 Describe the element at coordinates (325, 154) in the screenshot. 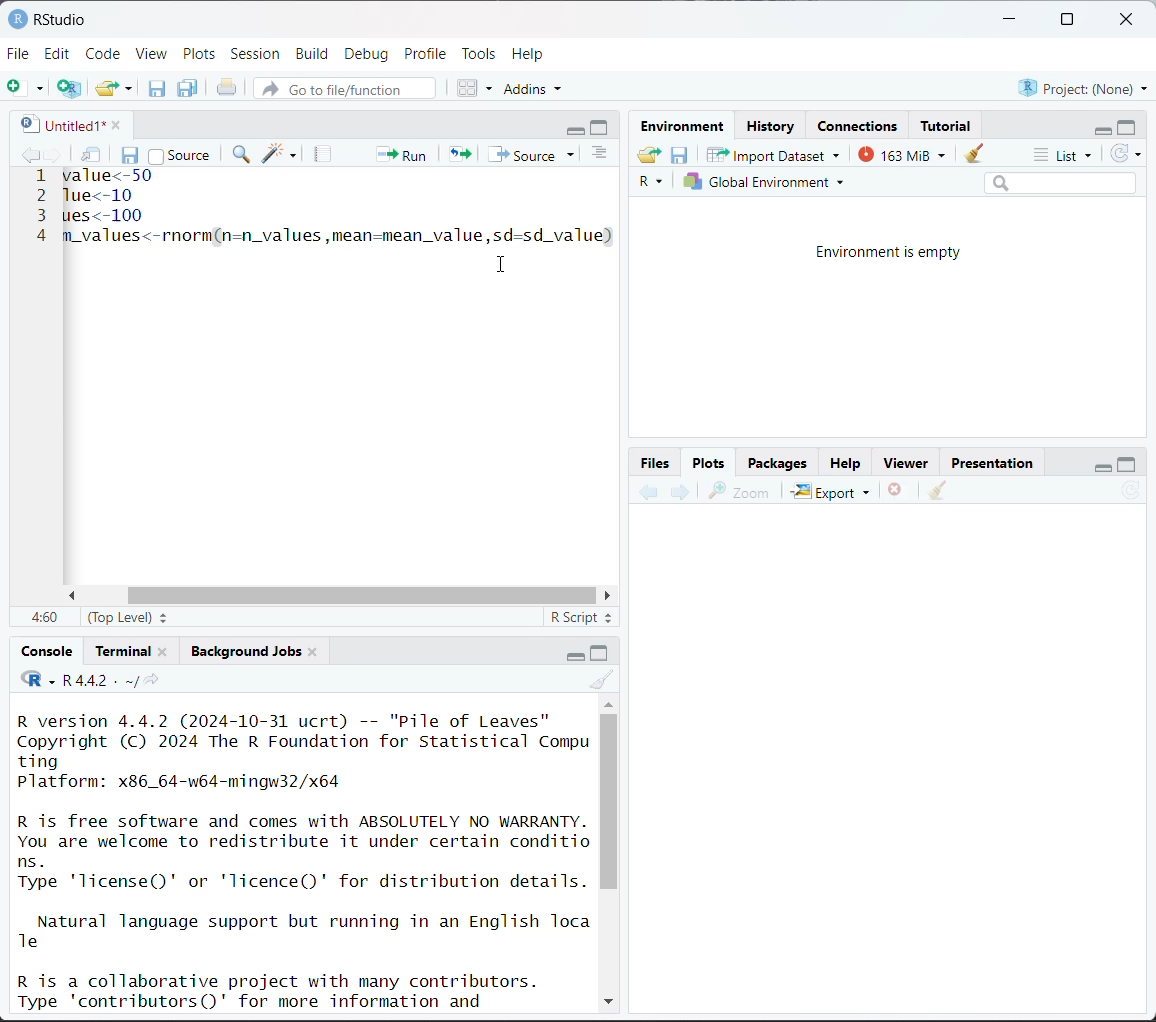

I see `compile report` at that location.